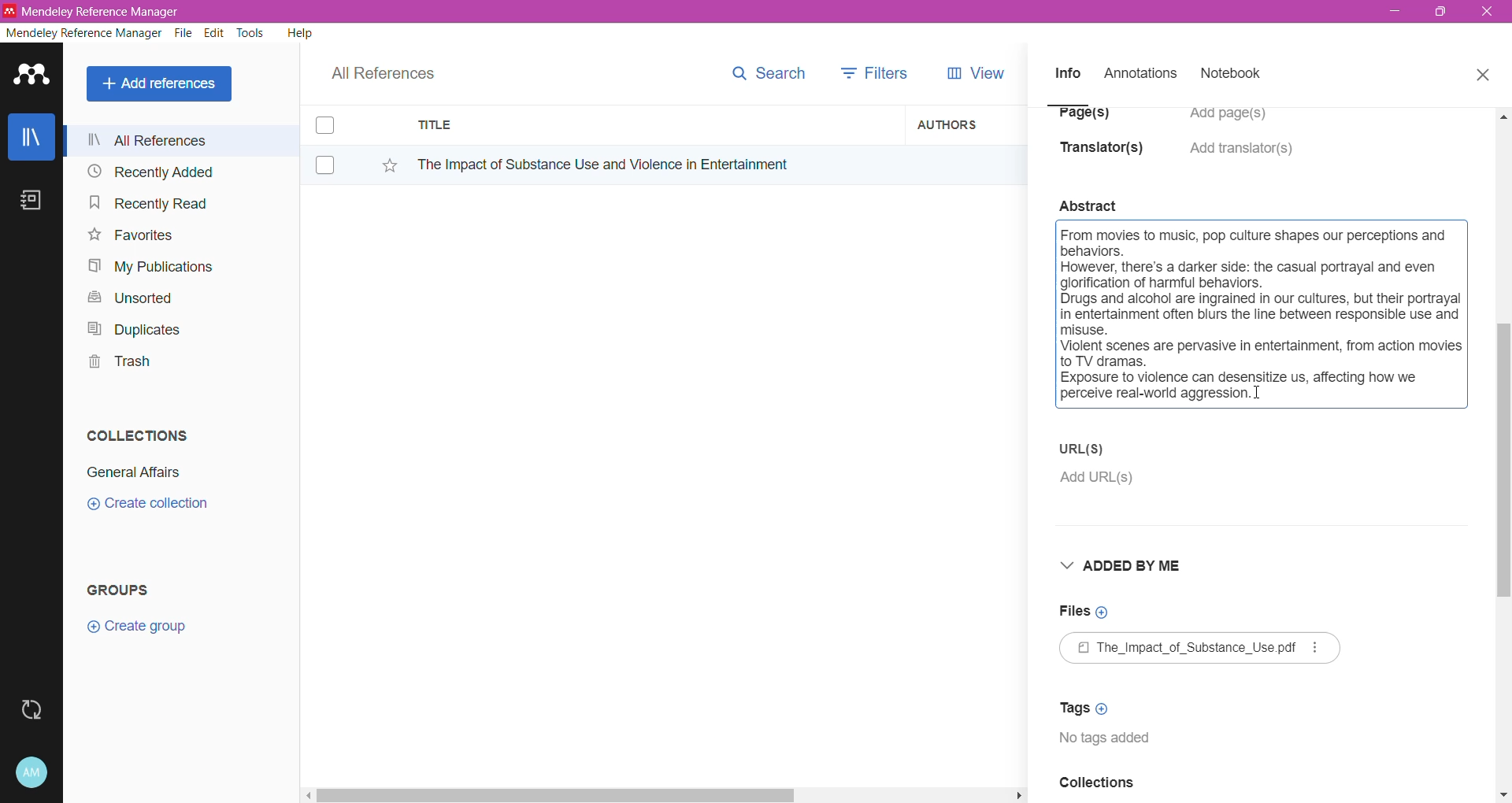 Image resolution: width=1512 pixels, height=803 pixels. Describe the element at coordinates (1082, 119) in the screenshot. I see `Page(s)` at that location.